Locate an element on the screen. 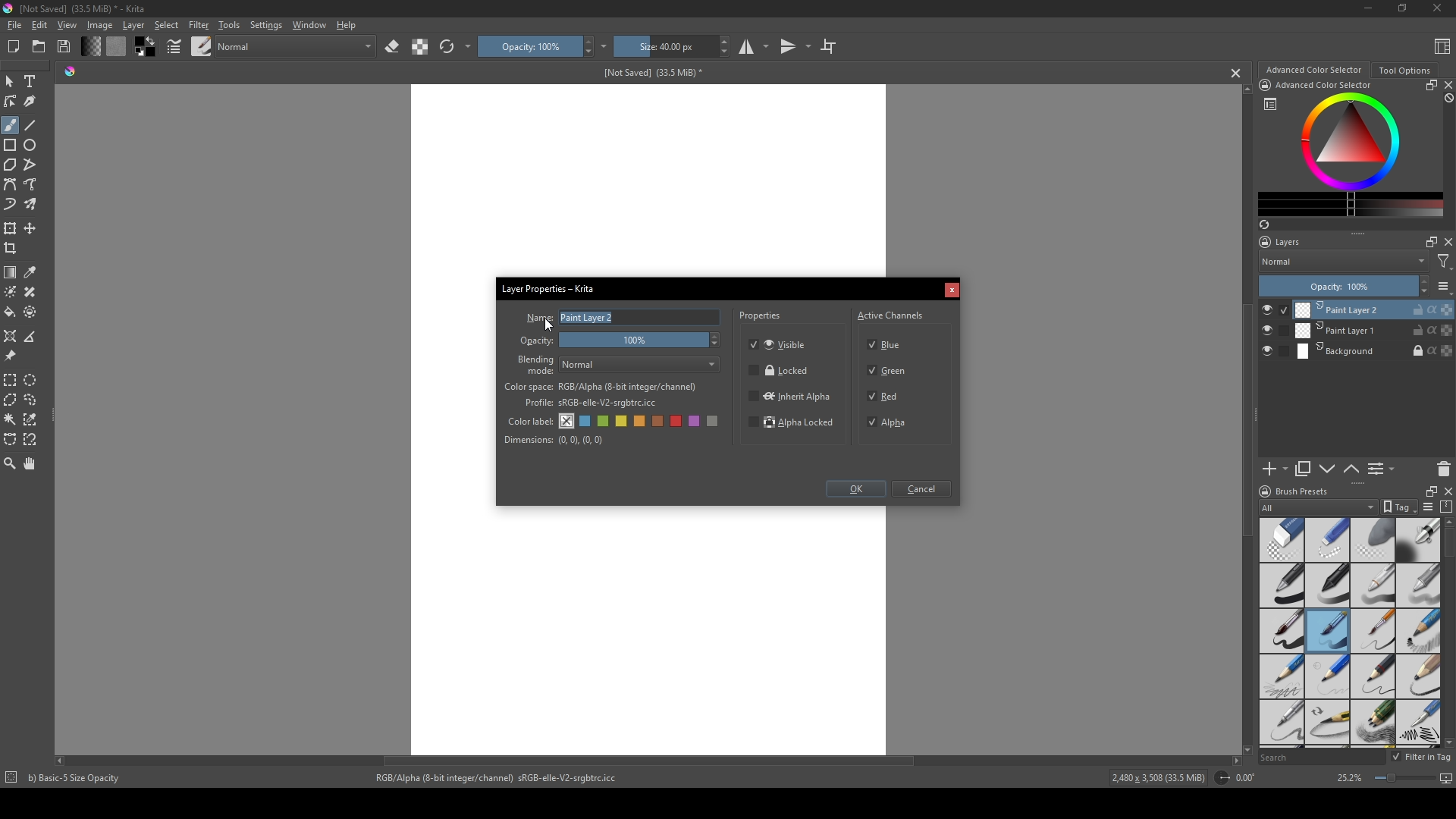 This screenshot has height=819, width=1456. Layer is located at coordinates (133, 25).